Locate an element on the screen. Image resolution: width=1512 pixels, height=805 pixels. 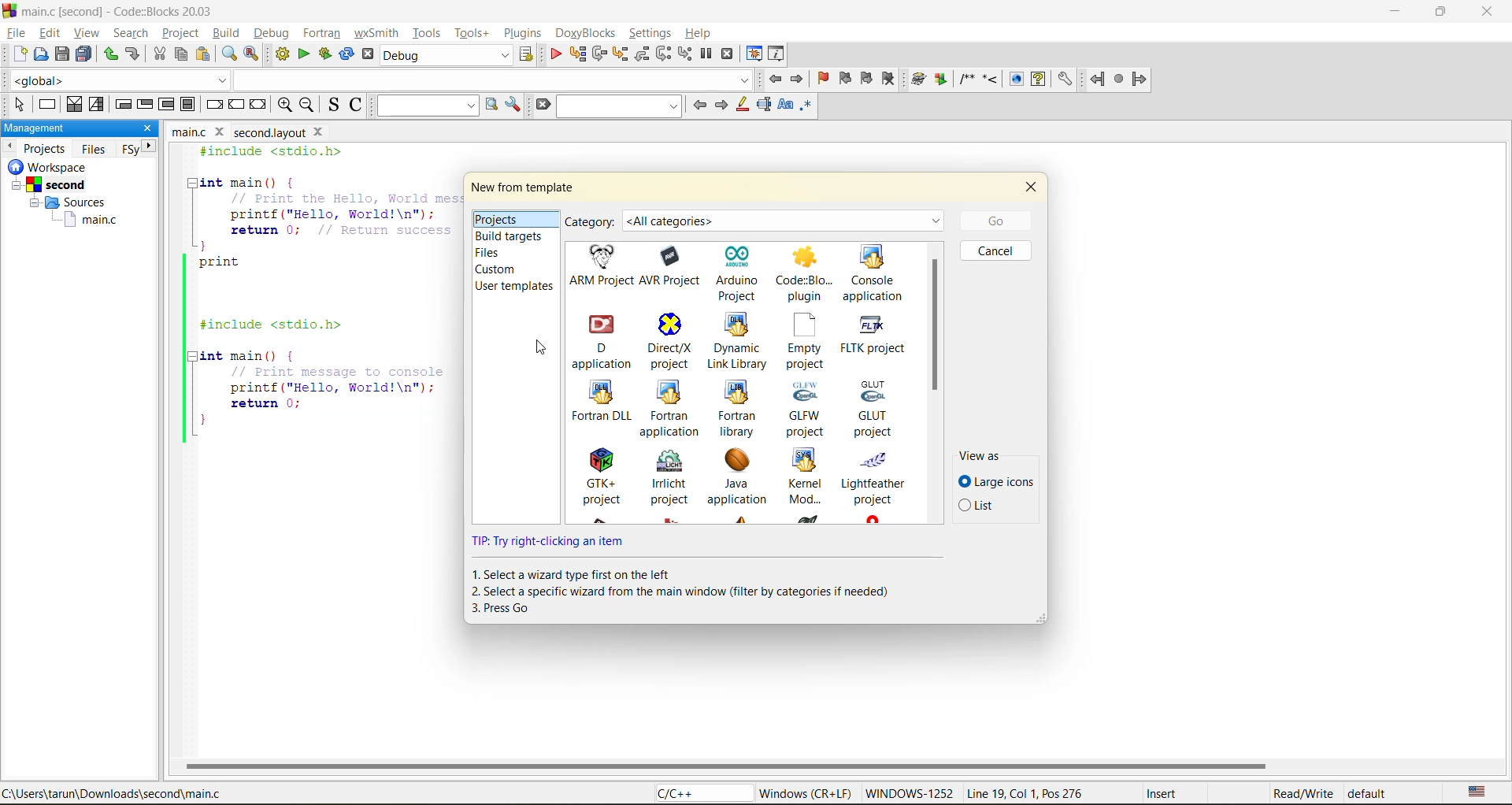
code editor is located at coordinates (313, 295).